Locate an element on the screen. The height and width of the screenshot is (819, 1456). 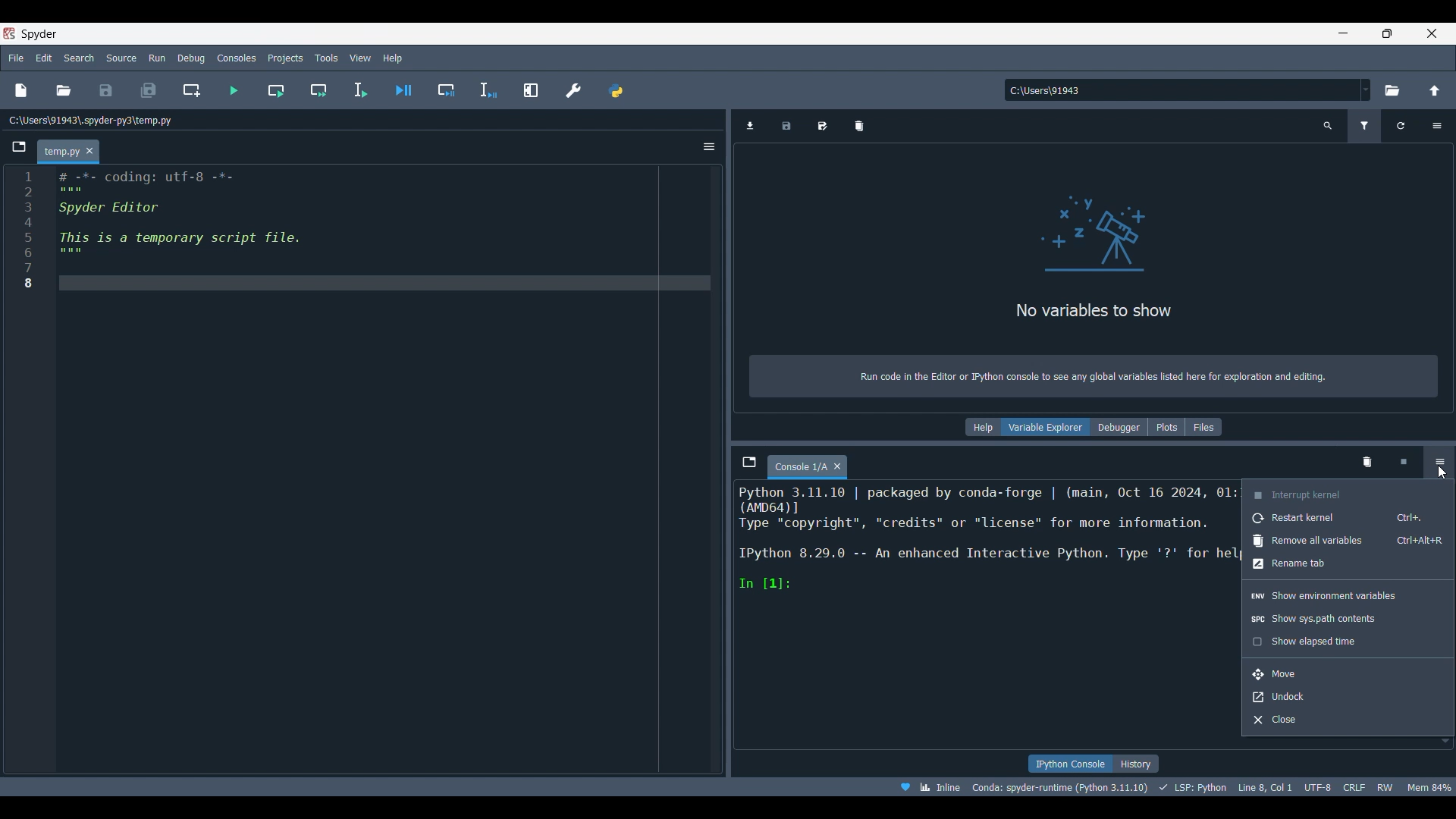
Edit menu is located at coordinates (45, 58).